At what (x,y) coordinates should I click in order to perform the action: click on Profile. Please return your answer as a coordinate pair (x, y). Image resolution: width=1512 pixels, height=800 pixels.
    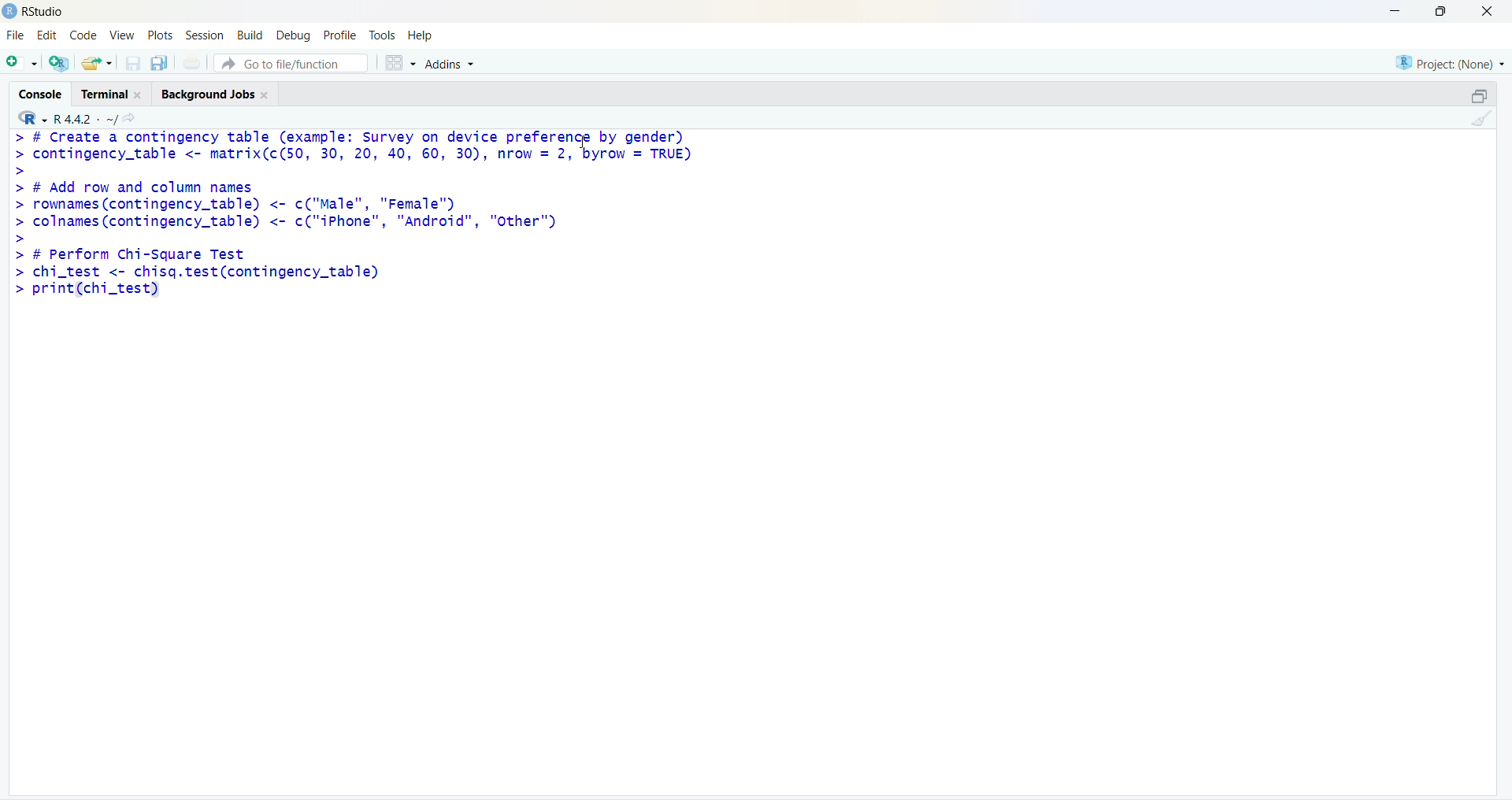
    Looking at the image, I should click on (343, 36).